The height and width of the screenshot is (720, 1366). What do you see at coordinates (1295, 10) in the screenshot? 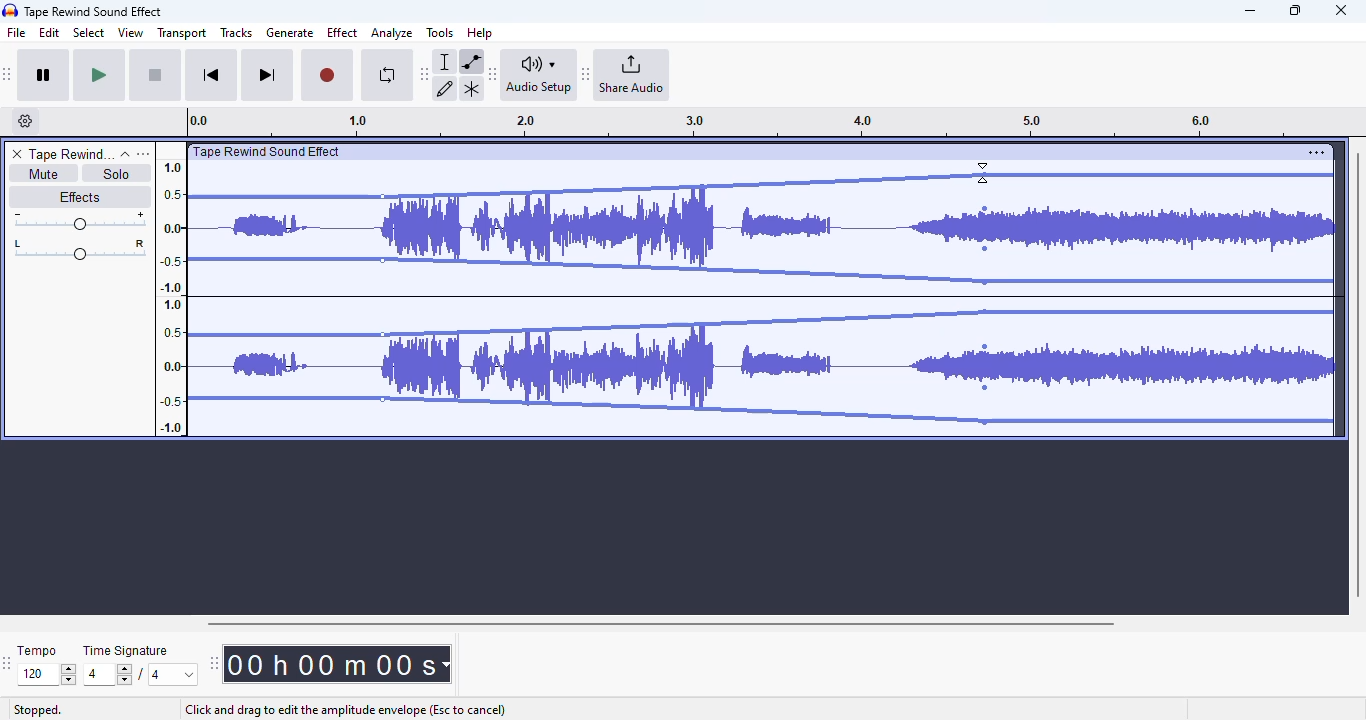
I see `maximize` at bounding box center [1295, 10].